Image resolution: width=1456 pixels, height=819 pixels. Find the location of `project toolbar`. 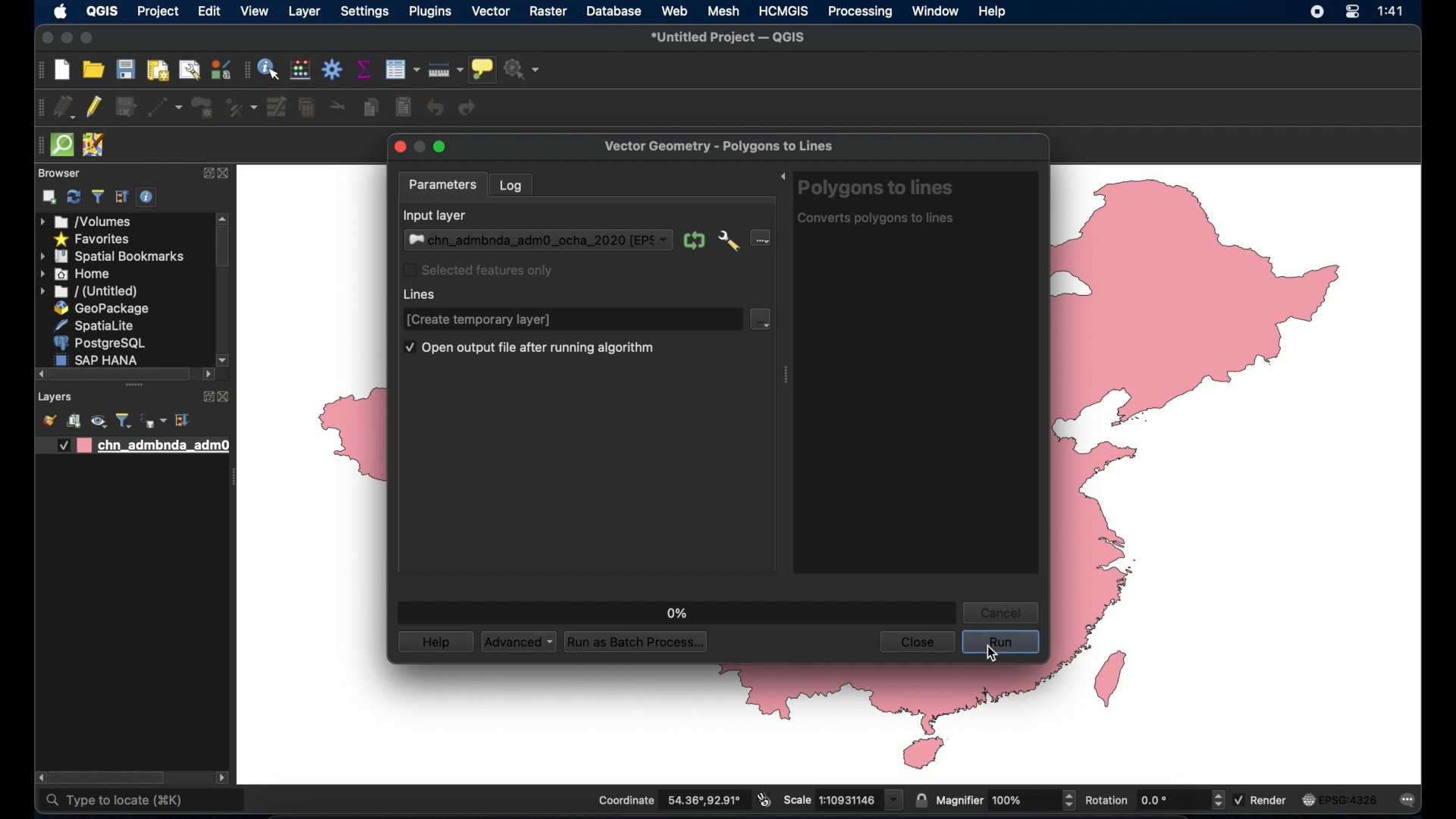

project toolbar is located at coordinates (42, 70).